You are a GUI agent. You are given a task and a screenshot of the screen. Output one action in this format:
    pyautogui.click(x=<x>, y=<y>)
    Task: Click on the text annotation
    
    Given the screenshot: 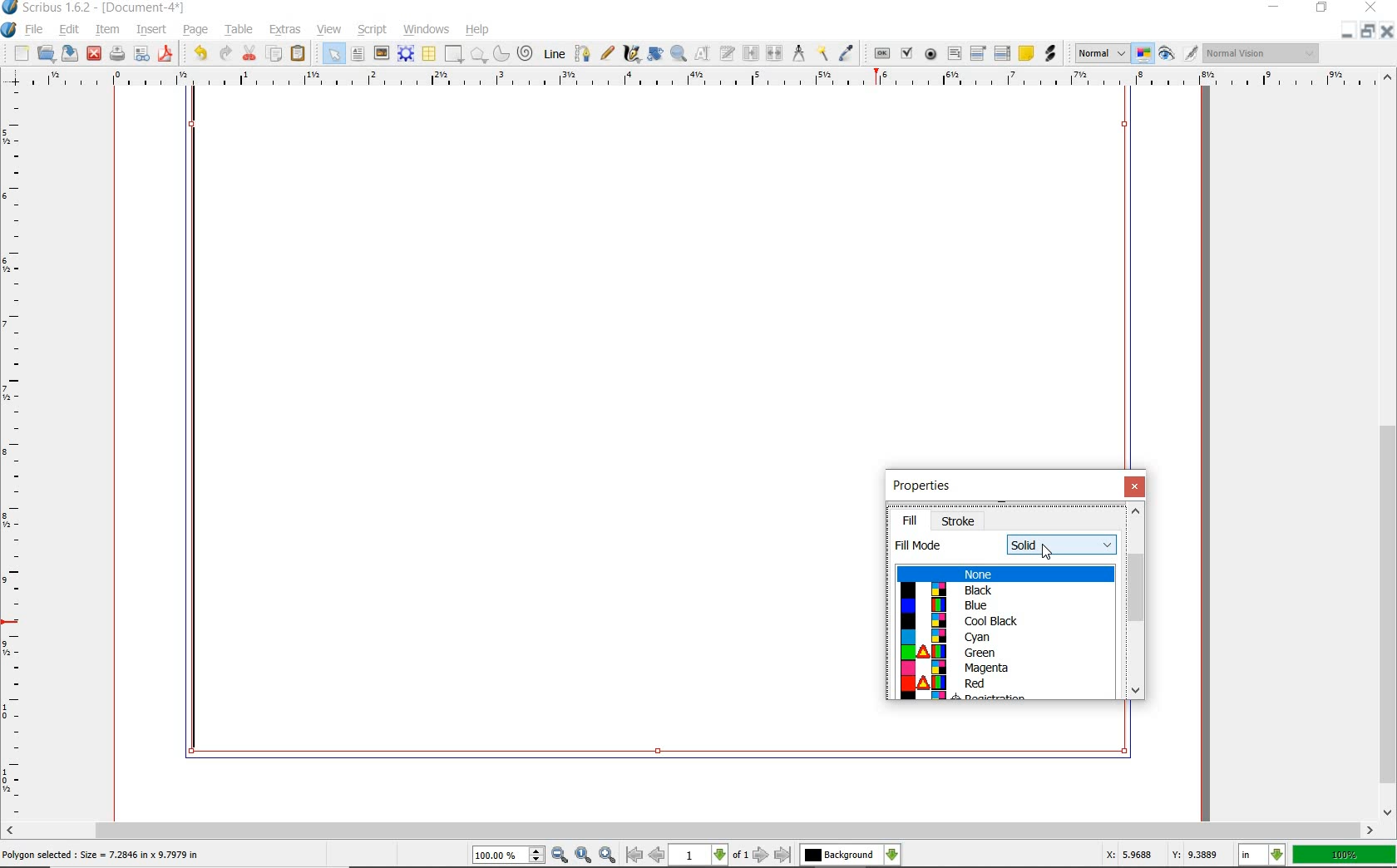 What is the action you would take?
    pyautogui.click(x=1026, y=53)
    